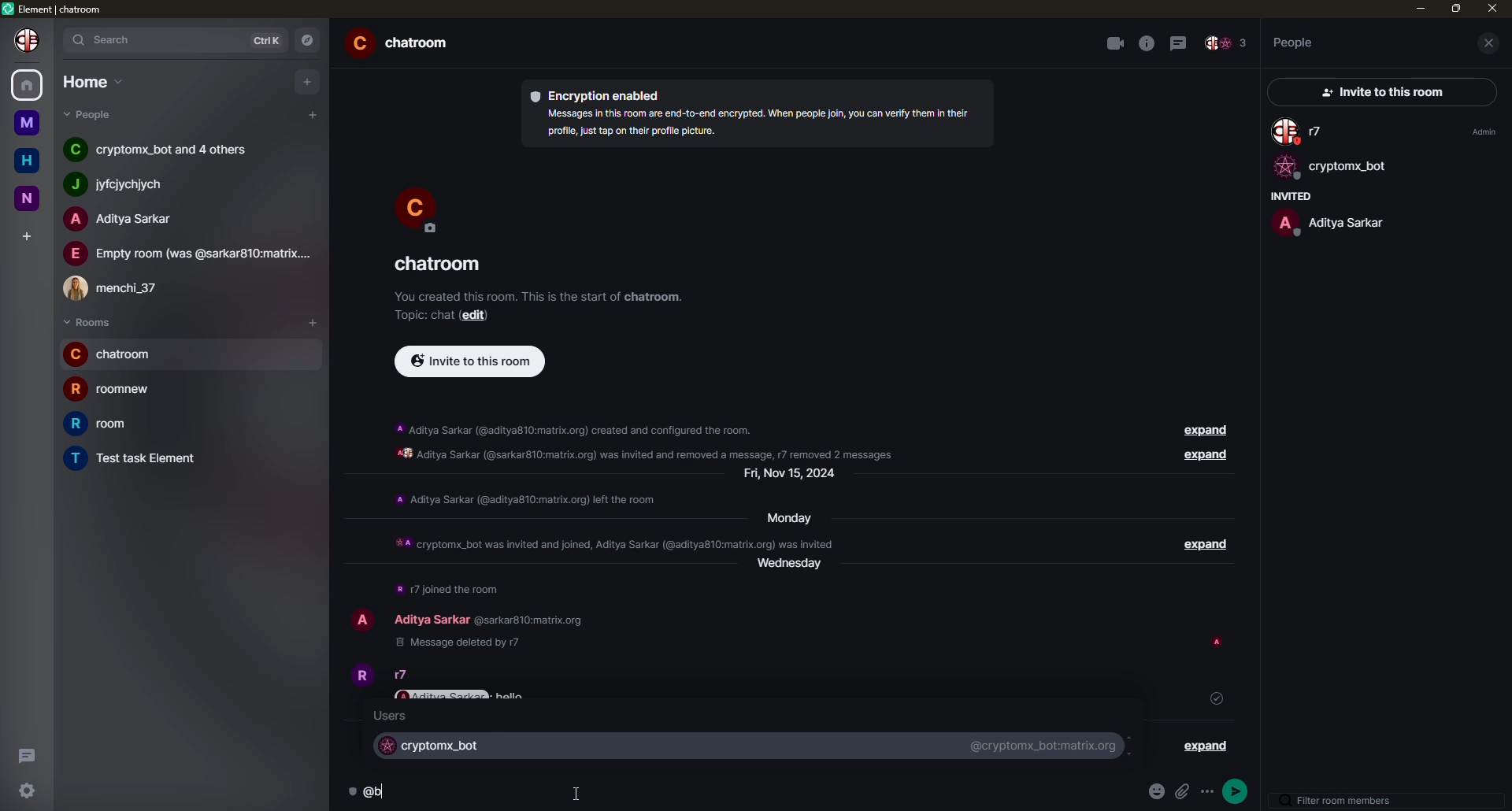  Describe the element at coordinates (57, 10) in the screenshot. I see `element` at that location.